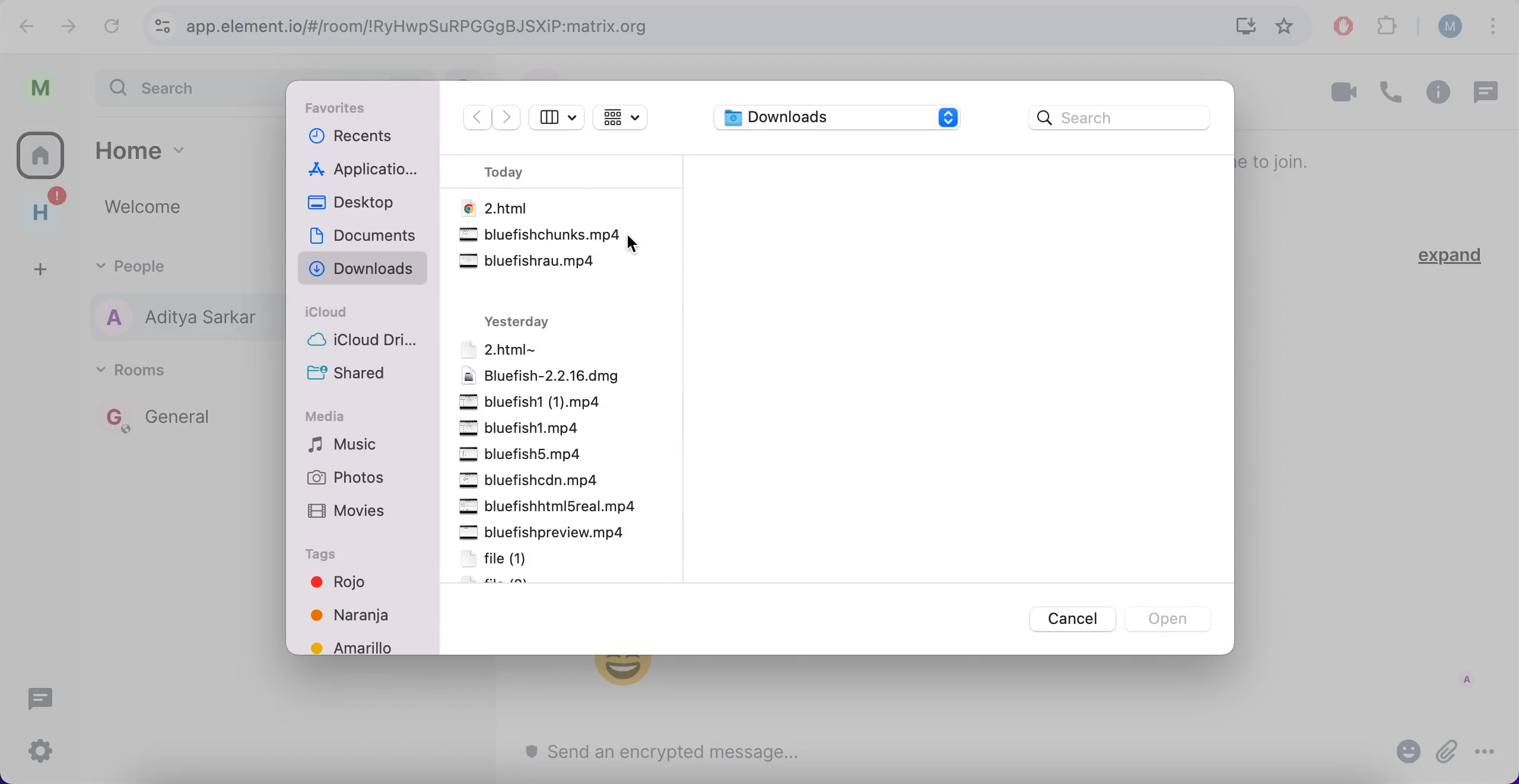  What do you see at coordinates (526, 260) in the screenshot?
I see `.mp4 file` at bounding box center [526, 260].